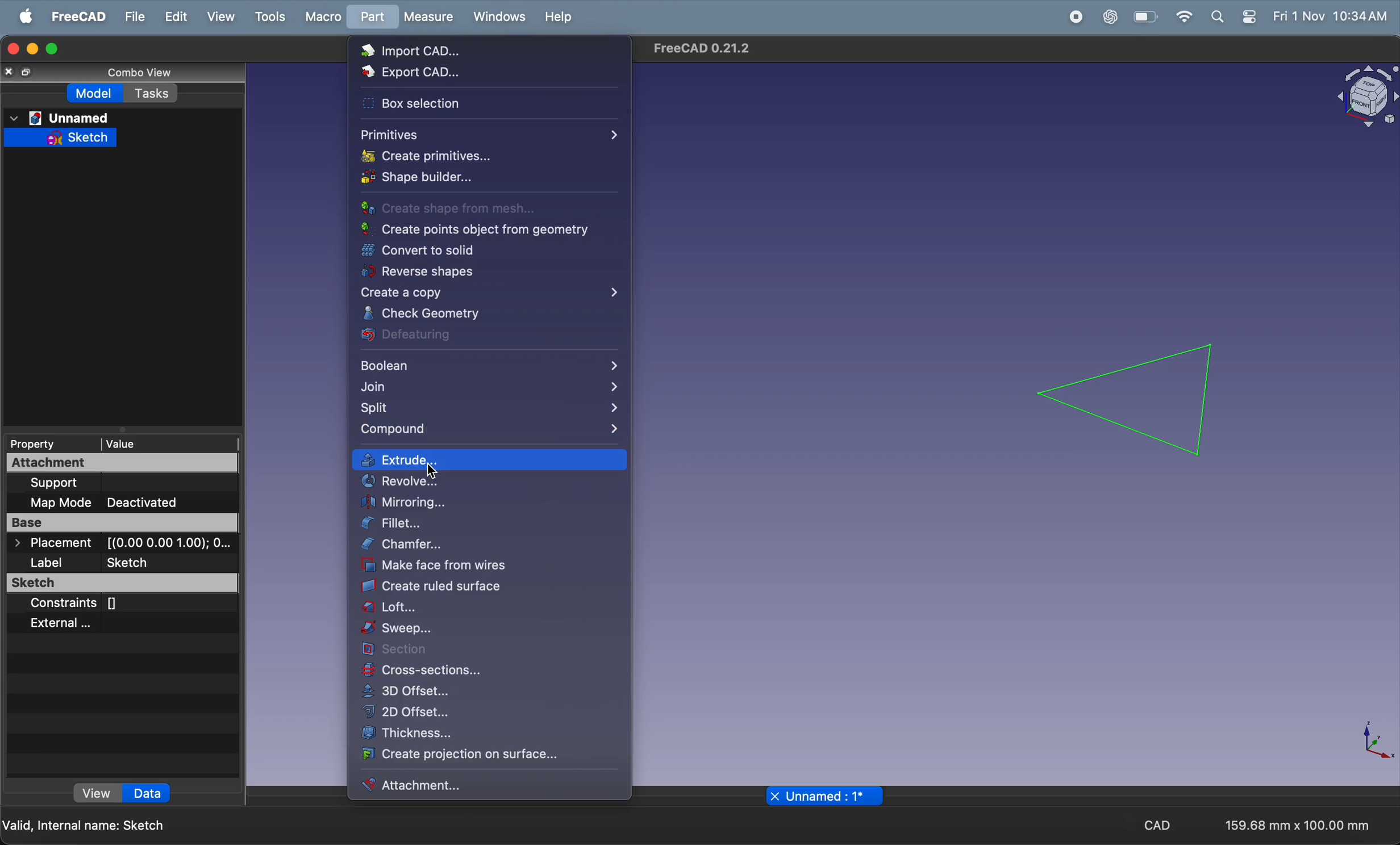  What do you see at coordinates (53, 48) in the screenshot?
I see `maximize` at bounding box center [53, 48].